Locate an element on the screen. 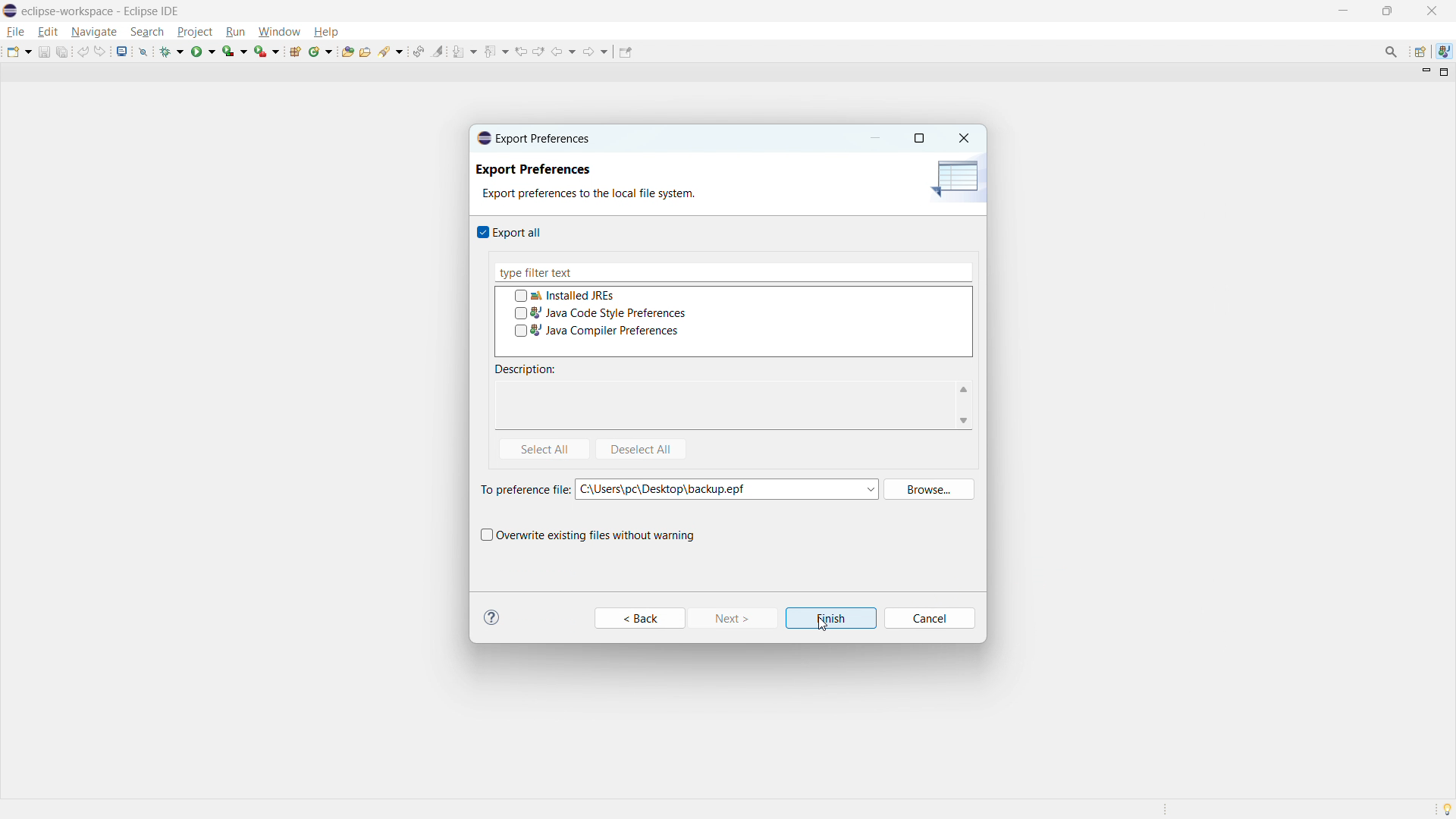 This screenshot has width=1456, height=819. description is located at coordinates (526, 369).